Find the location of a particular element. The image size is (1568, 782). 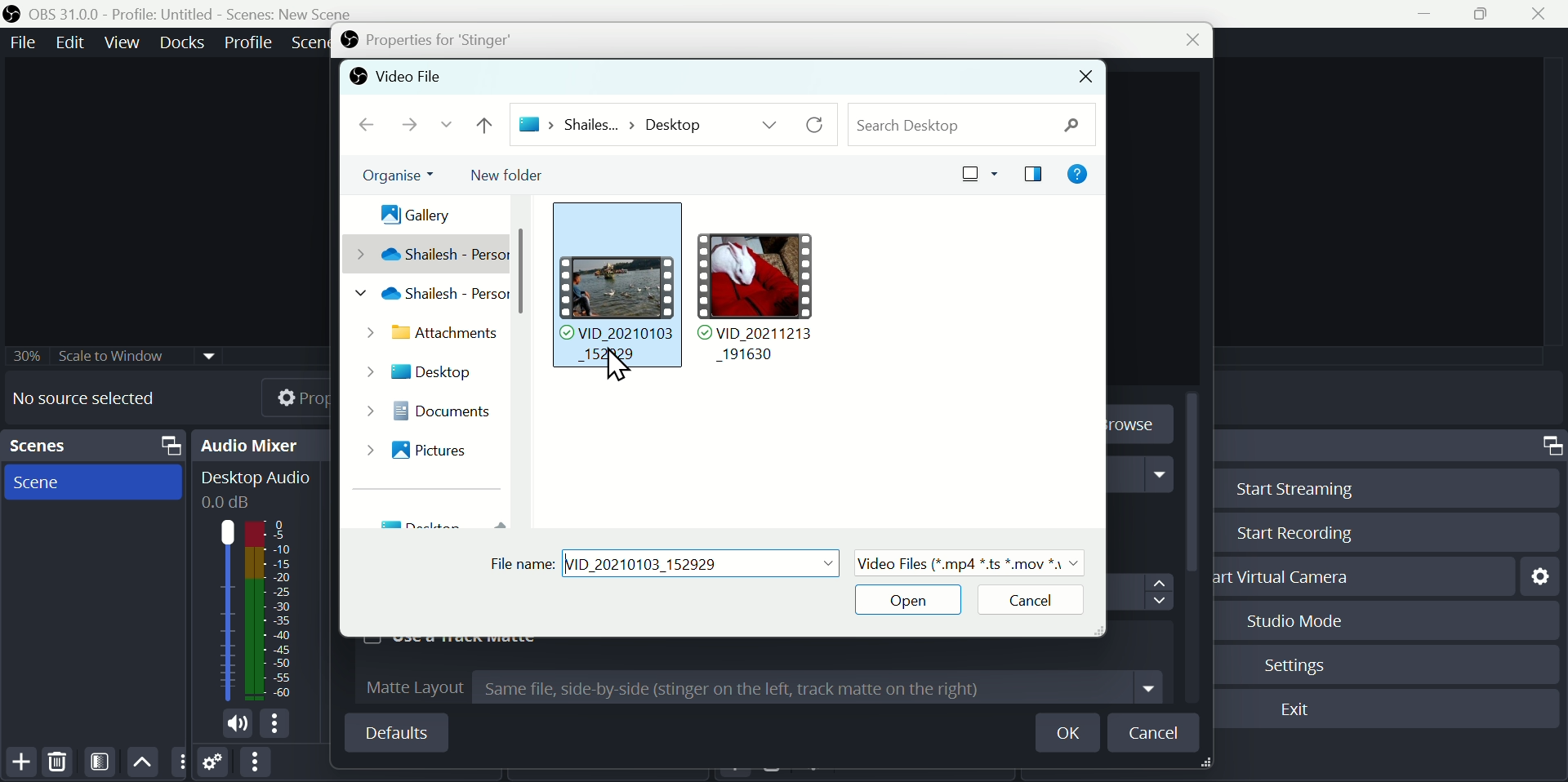

Settings is located at coordinates (1539, 575).